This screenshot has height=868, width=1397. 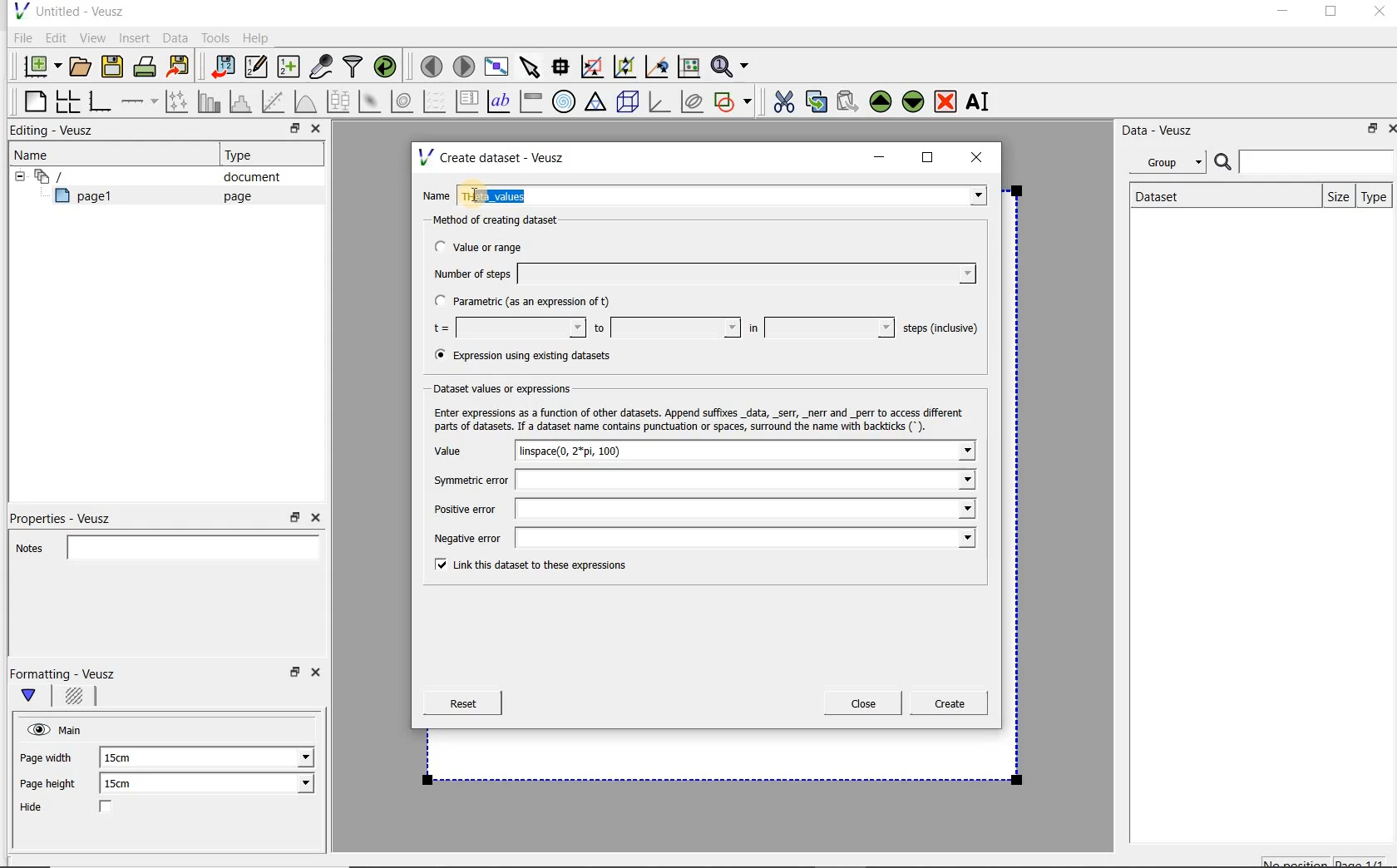 What do you see at coordinates (863, 703) in the screenshot?
I see `Close` at bounding box center [863, 703].